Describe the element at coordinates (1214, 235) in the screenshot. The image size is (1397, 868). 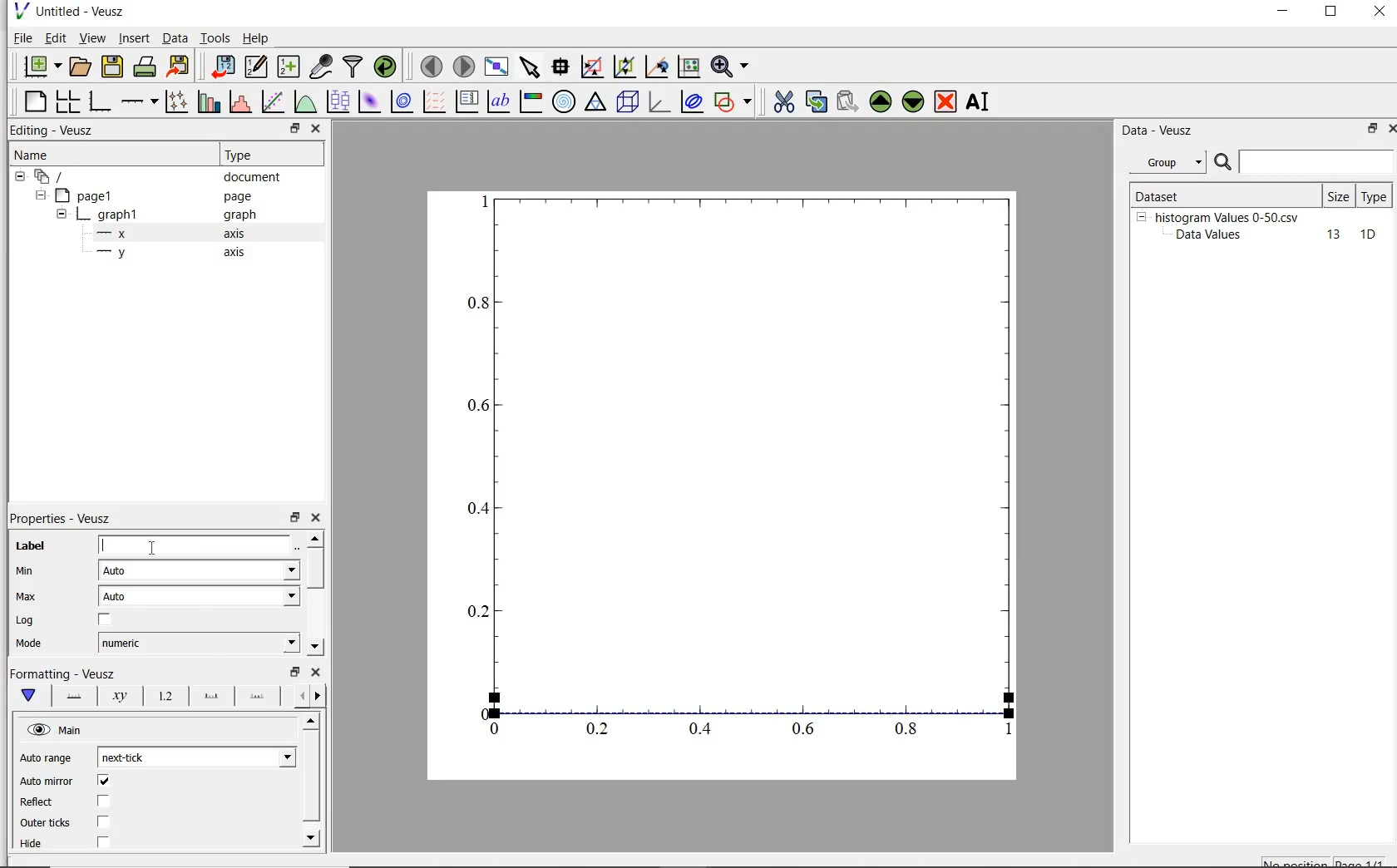
I see `Data Values` at that location.